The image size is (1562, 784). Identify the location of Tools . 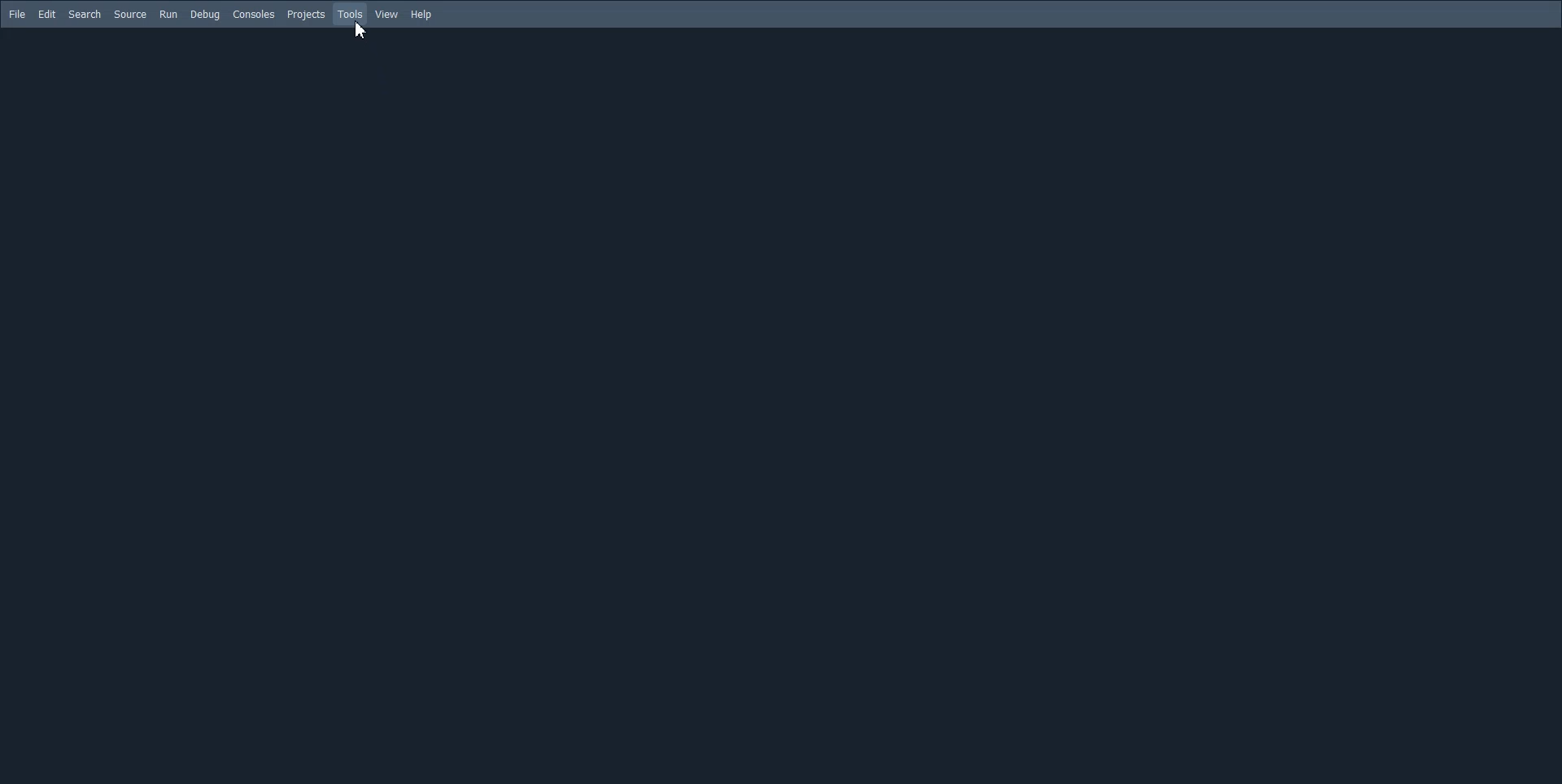
(350, 14).